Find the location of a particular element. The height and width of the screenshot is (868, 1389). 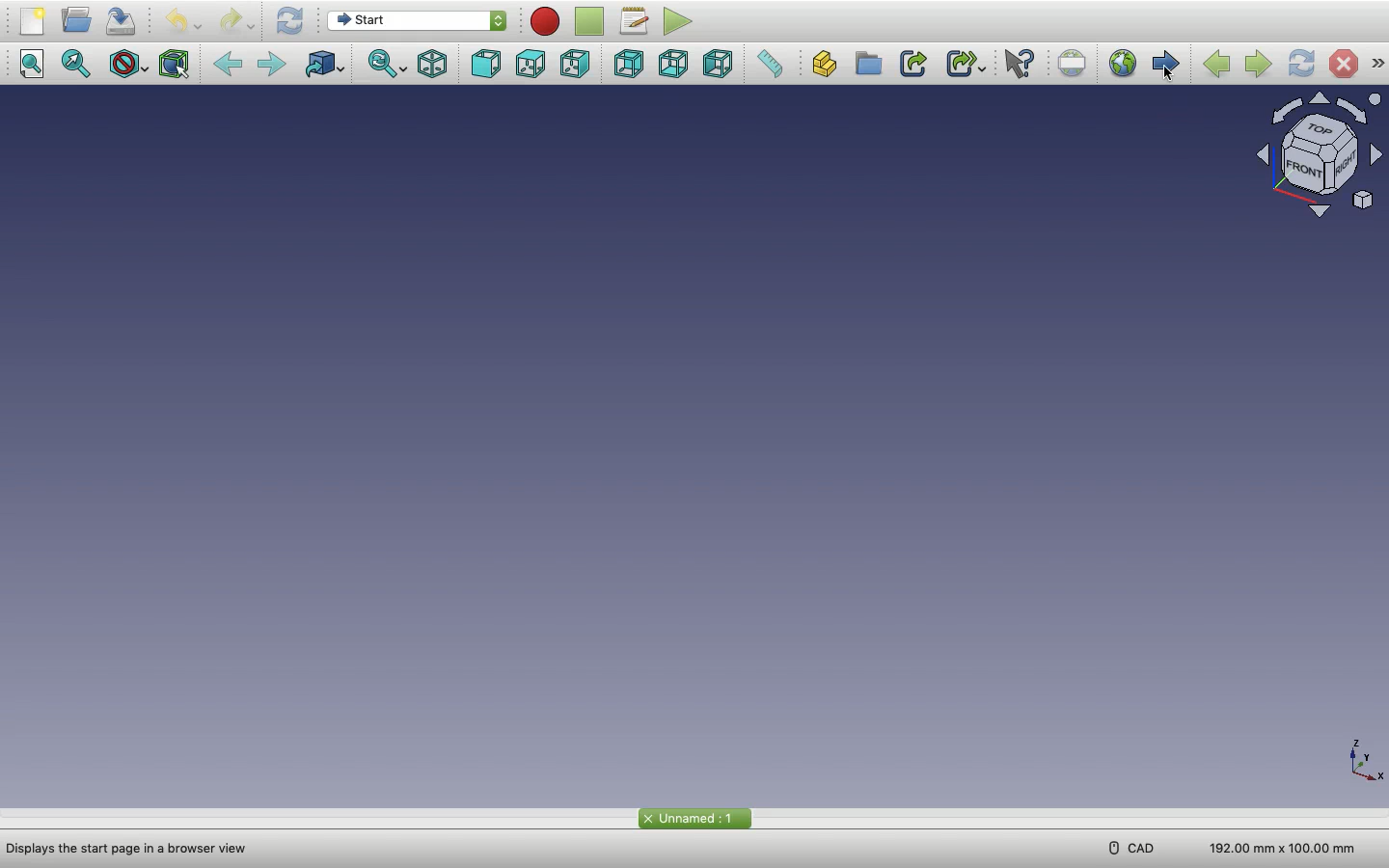

What's this? is located at coordinates (1018, 65).